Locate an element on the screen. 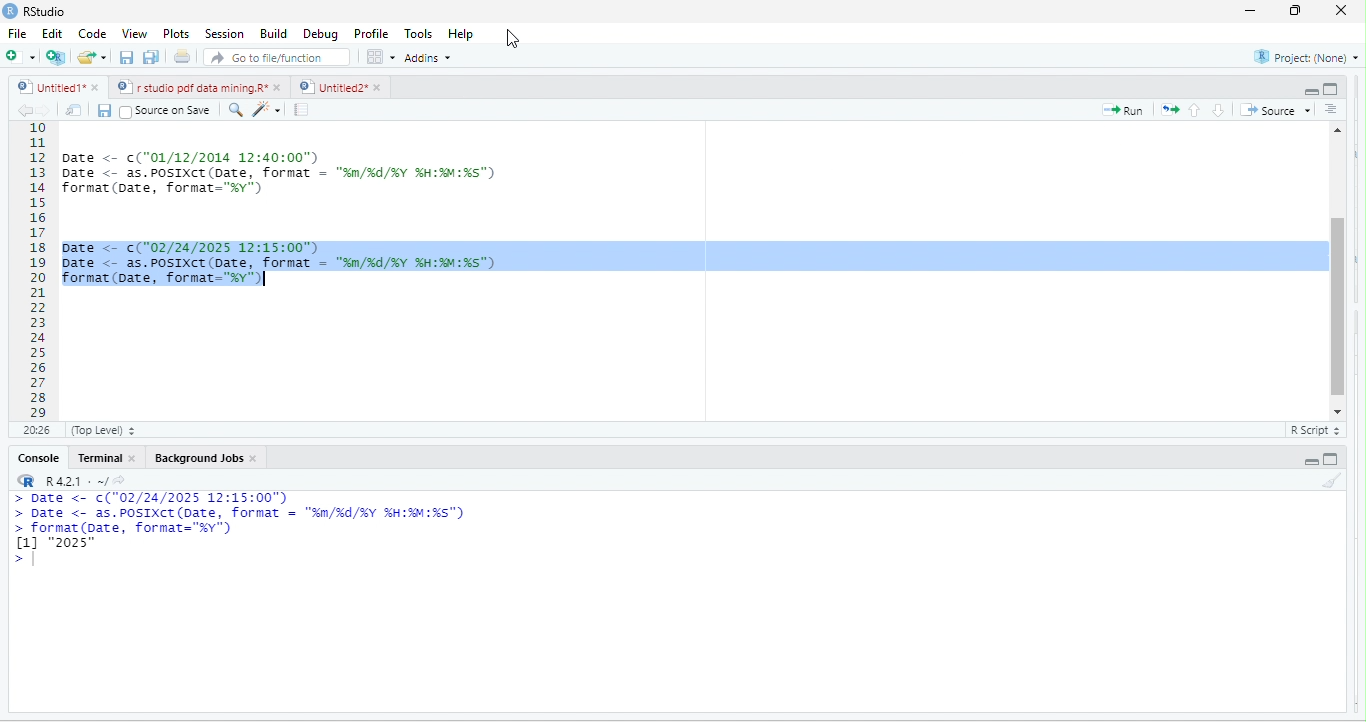 This screenshot has width=1366, height=722. Profile is located at coordinates (368, 33).